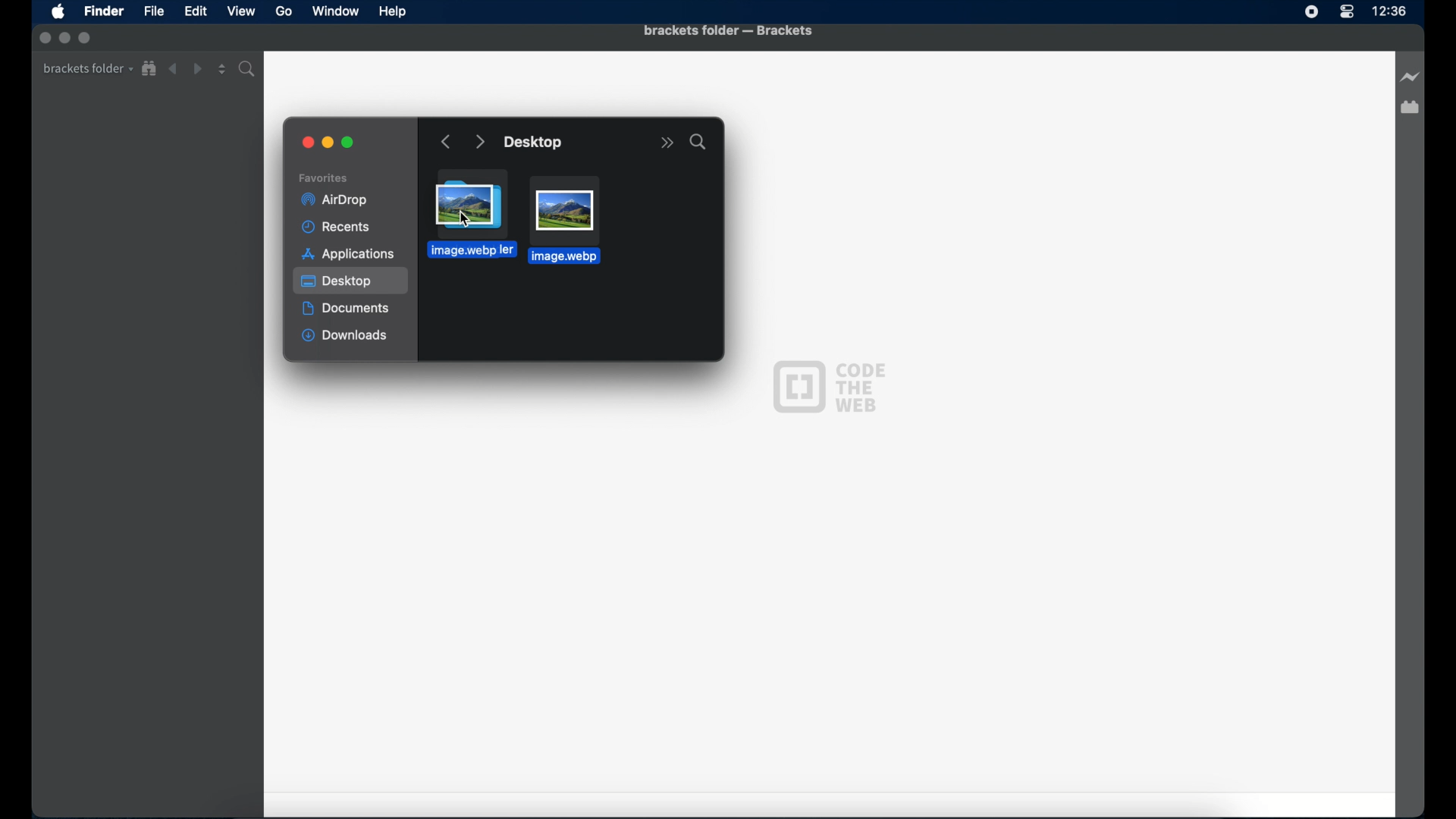 This screenshot has height=819, width=1456. I want to click on applications, so click(348, 254).